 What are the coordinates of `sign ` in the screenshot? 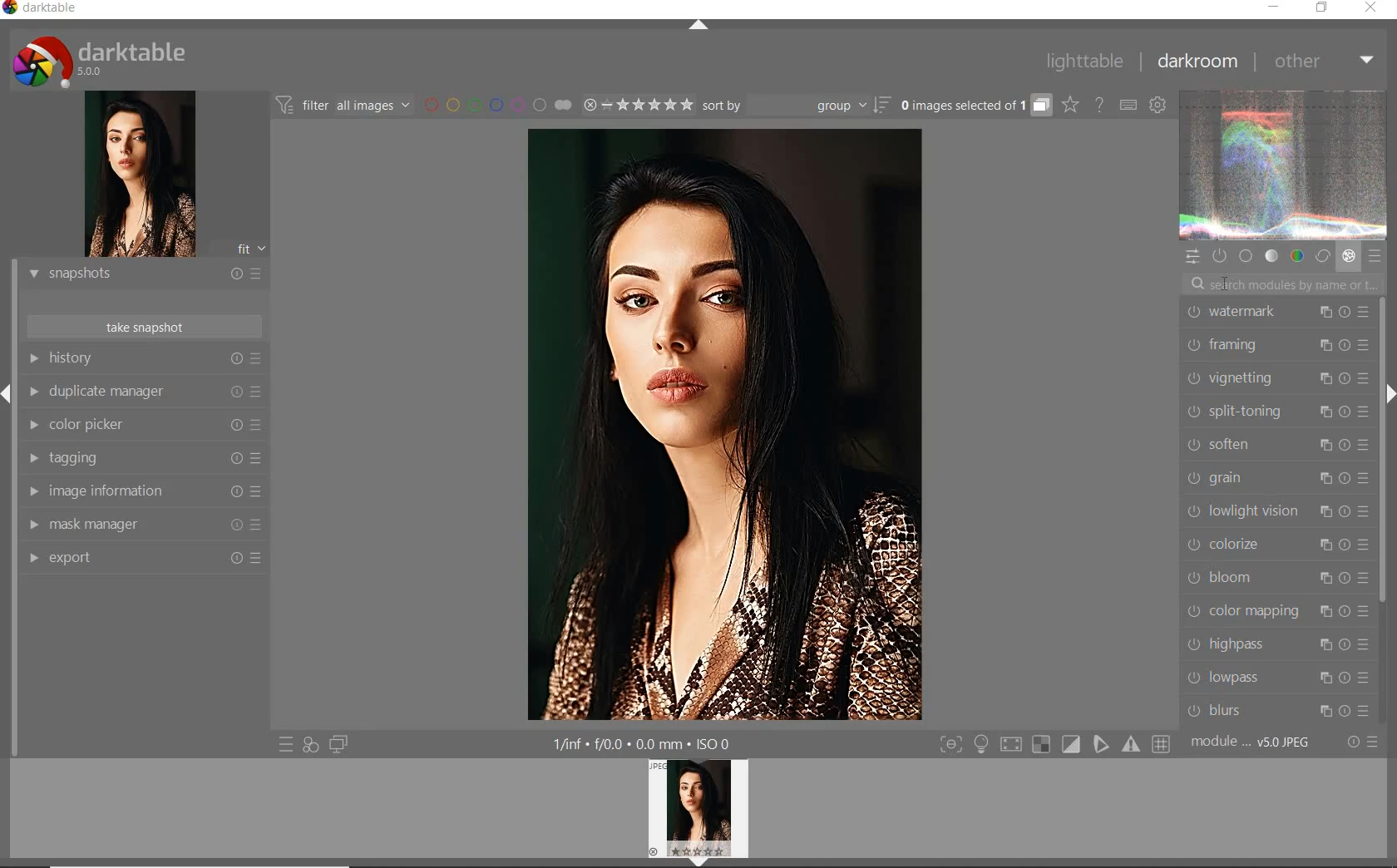 It's located at (1013, 746).